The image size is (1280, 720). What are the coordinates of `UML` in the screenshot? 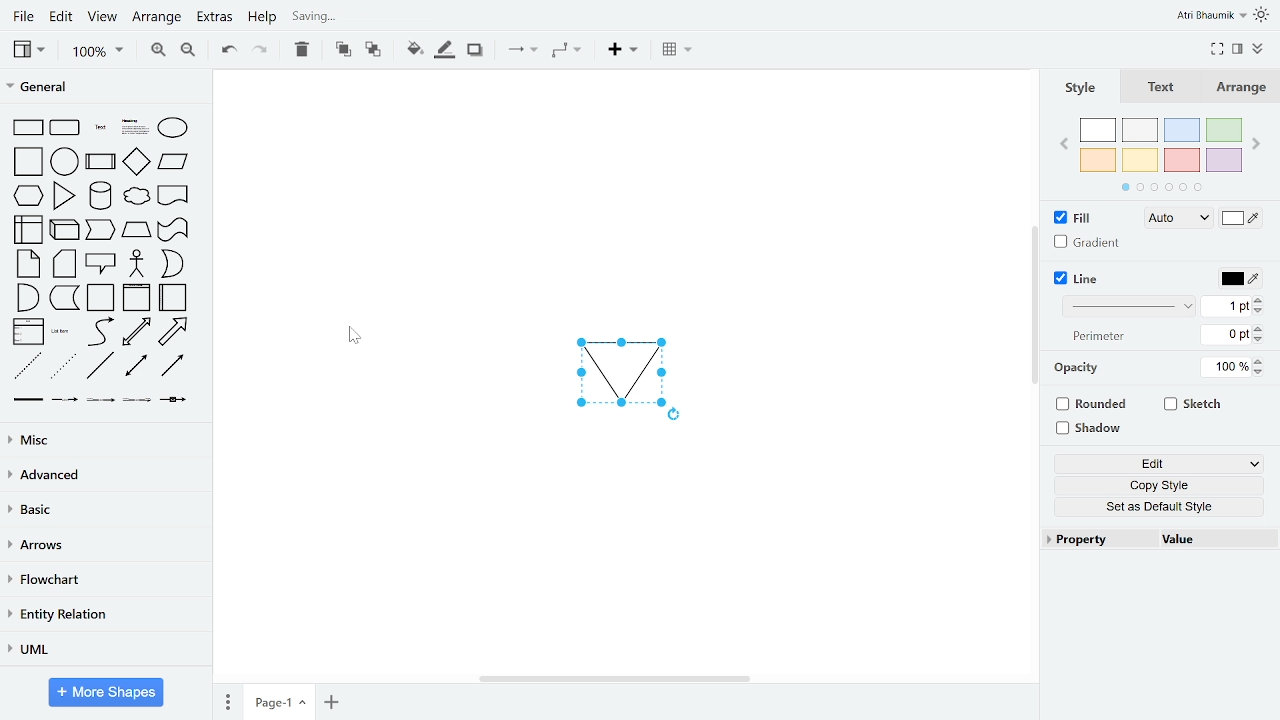 It's located at (101, 648).